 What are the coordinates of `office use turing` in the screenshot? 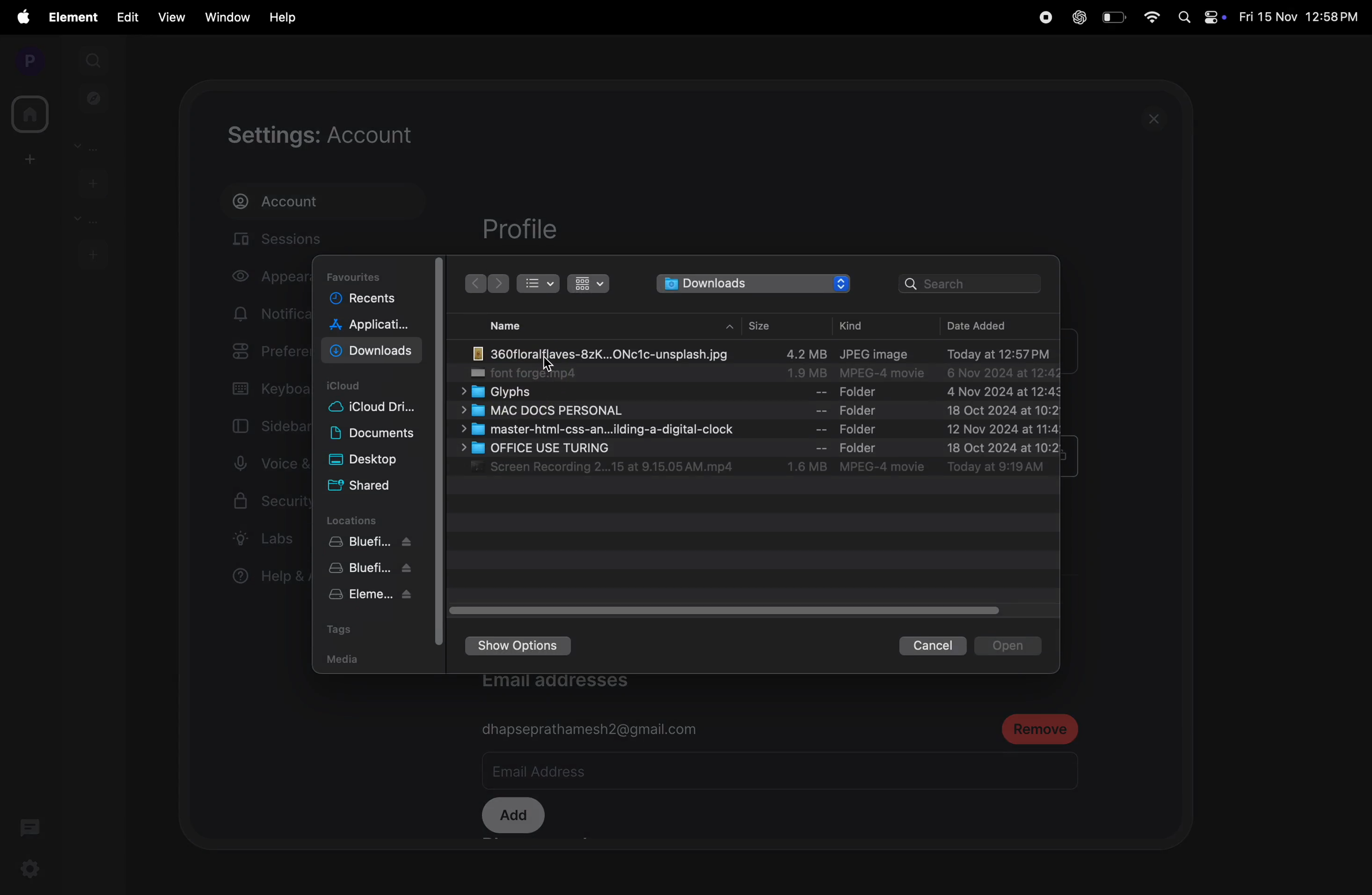 It's located at (758, 449).